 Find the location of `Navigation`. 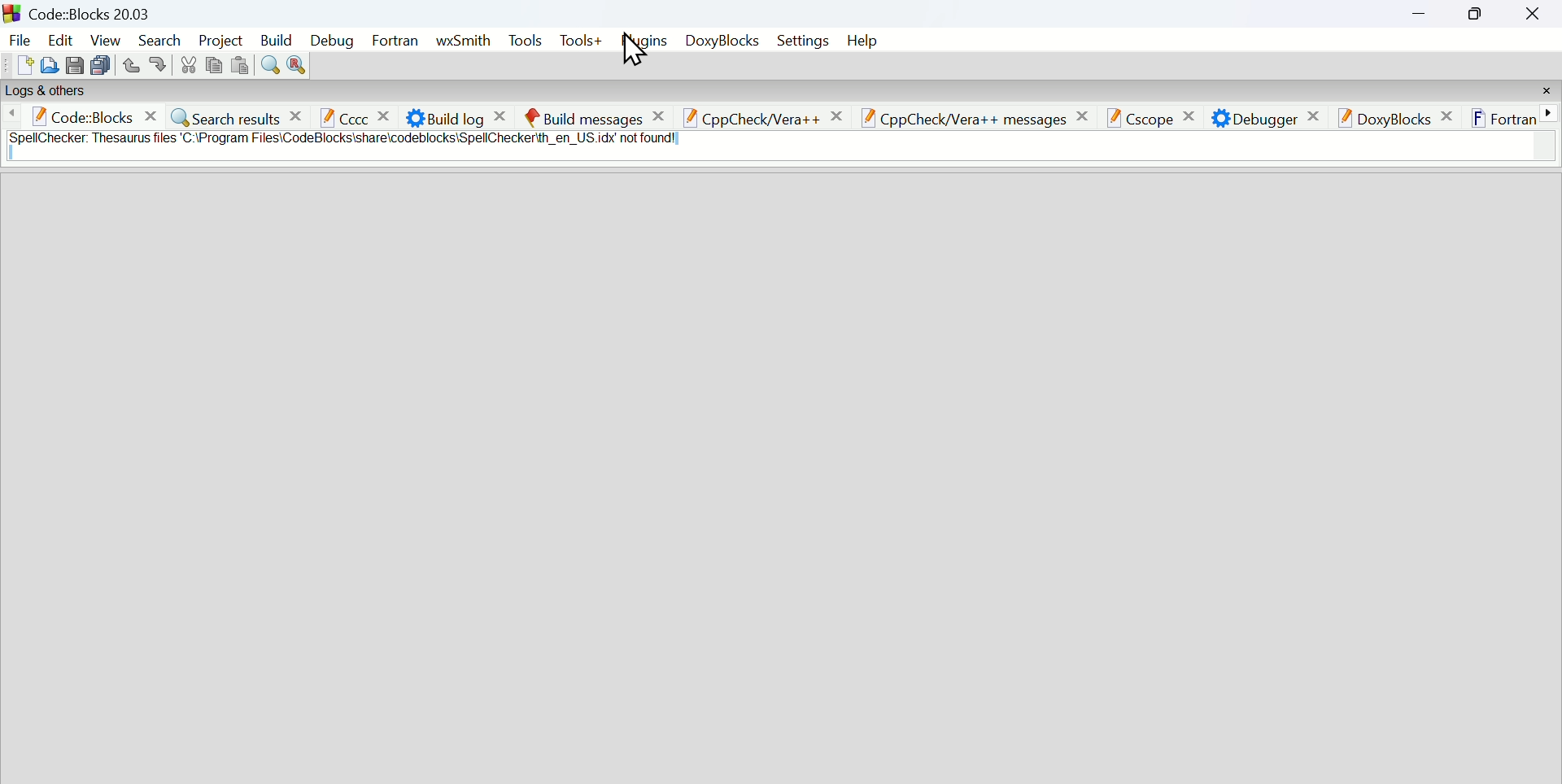

Navigation is located at coordinates (333, 41).